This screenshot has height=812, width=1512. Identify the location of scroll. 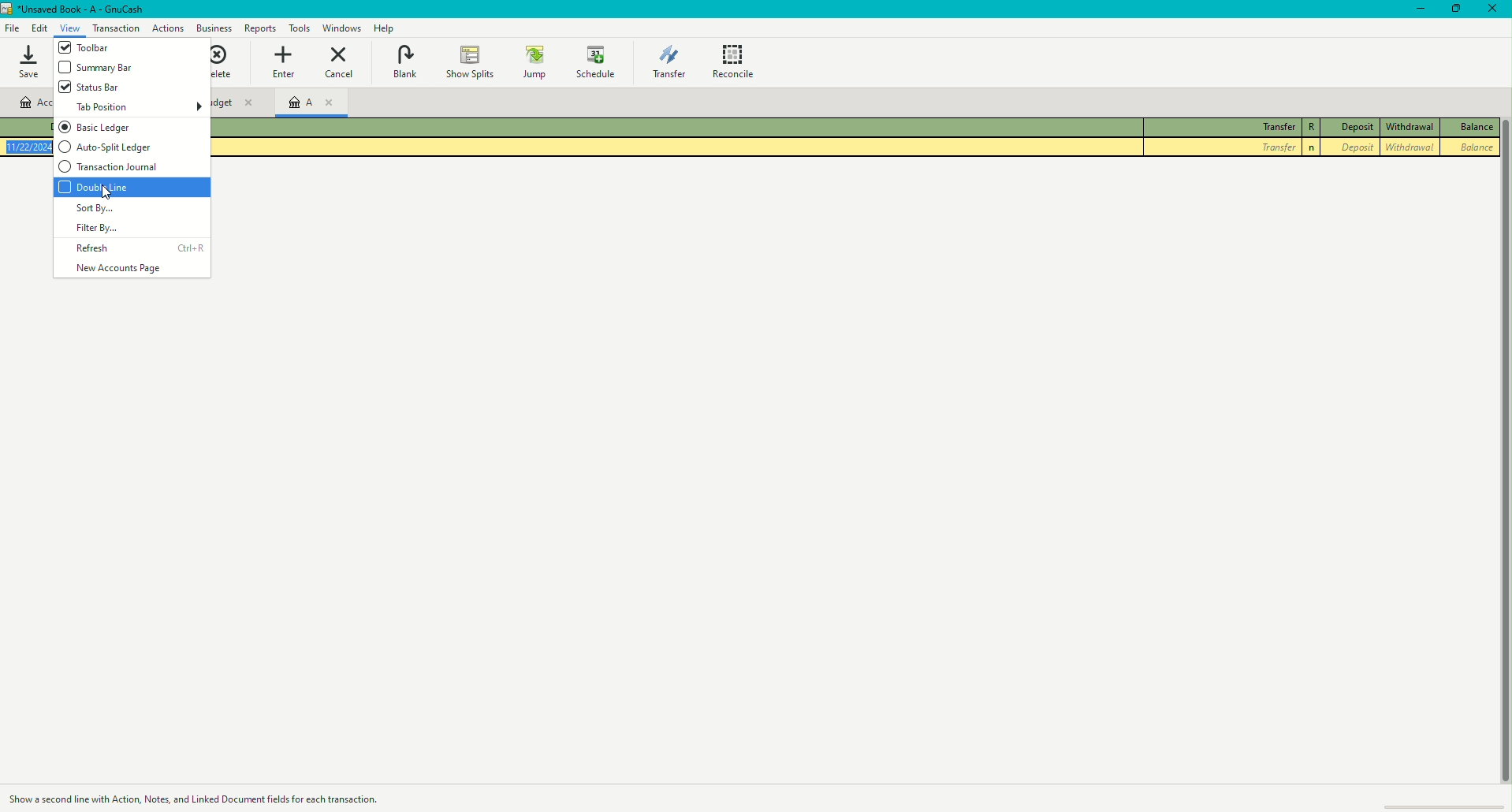
(1447, 803).